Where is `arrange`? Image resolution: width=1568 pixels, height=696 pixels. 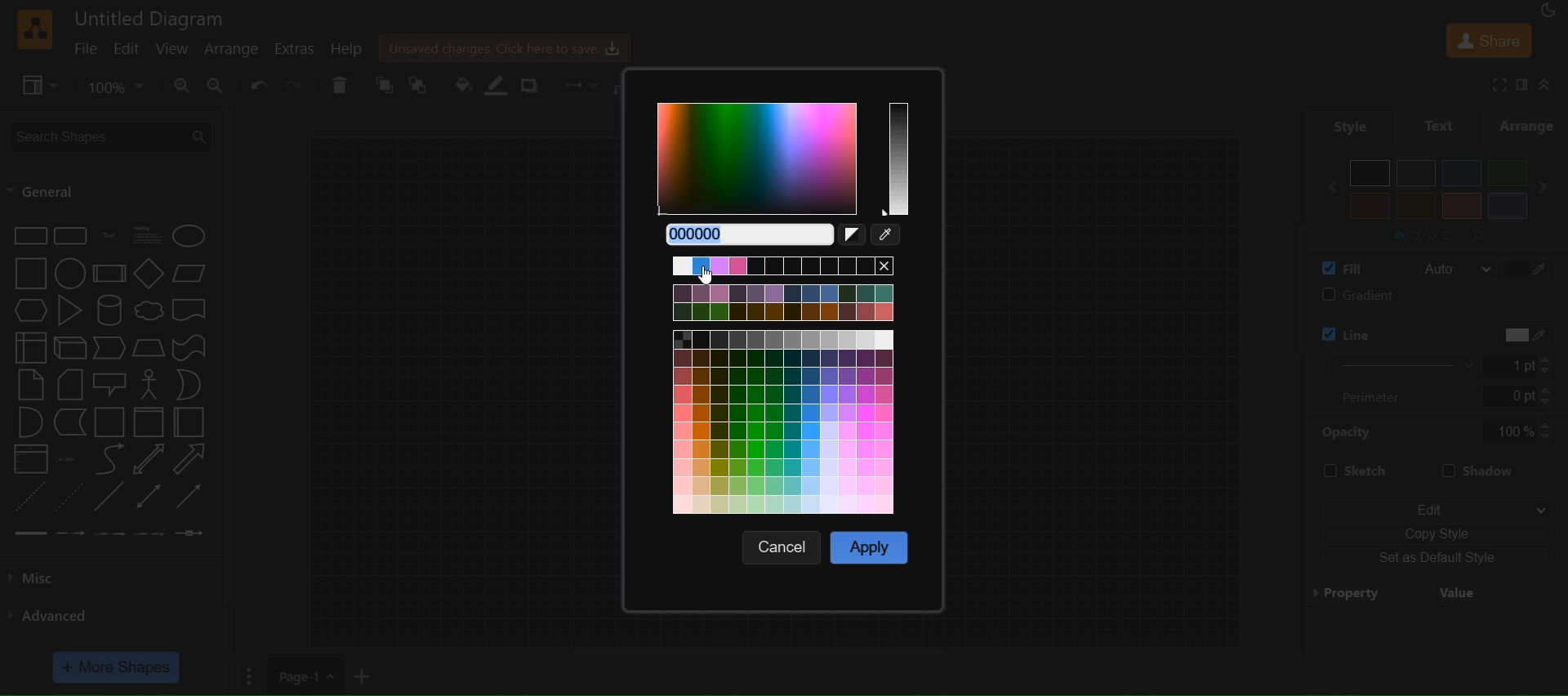 arrange is located at coordinates (1530, 125).